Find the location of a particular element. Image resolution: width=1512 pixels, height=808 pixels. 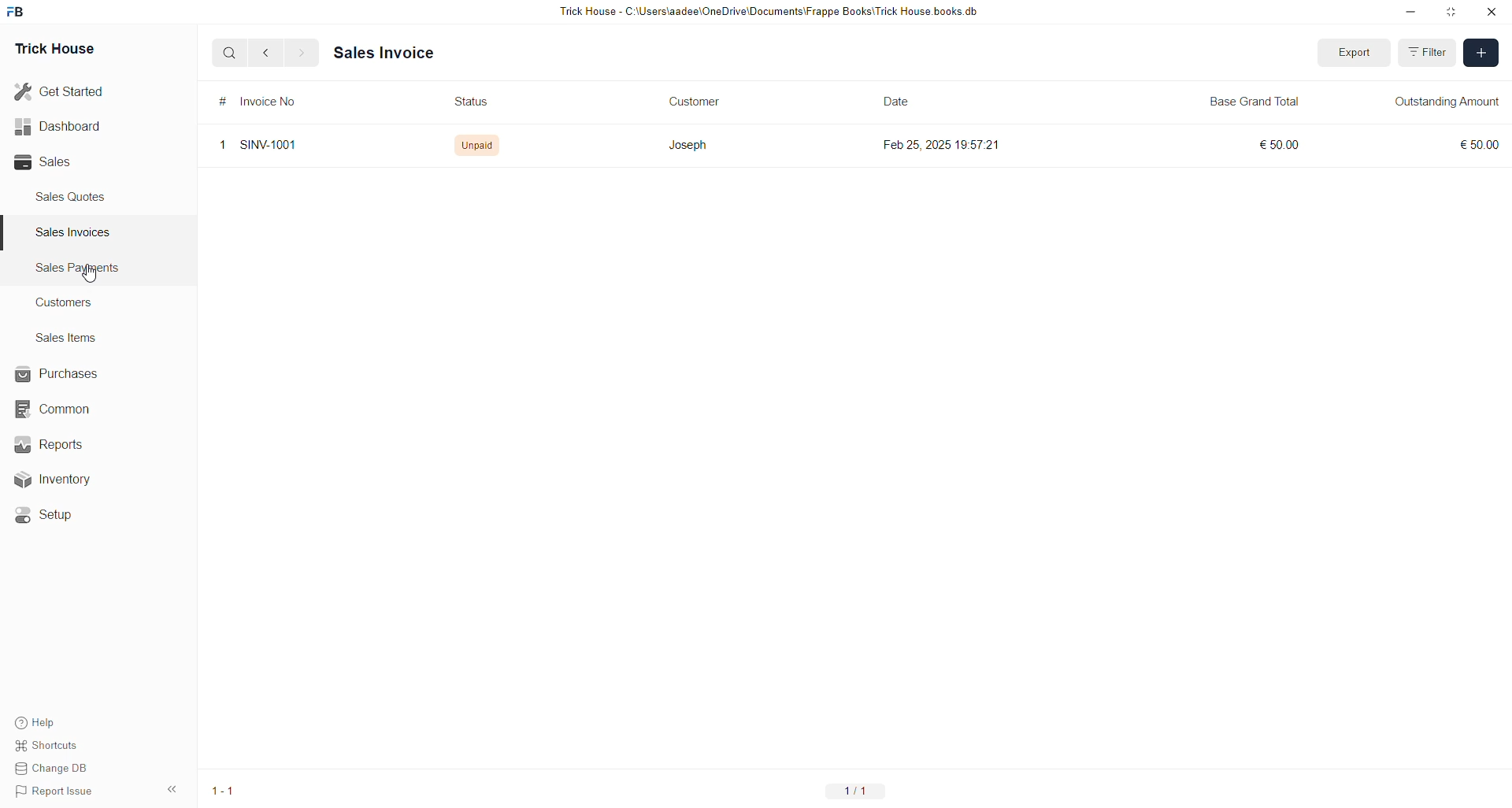

Hide sidebar is located at coordinates (172, 789).